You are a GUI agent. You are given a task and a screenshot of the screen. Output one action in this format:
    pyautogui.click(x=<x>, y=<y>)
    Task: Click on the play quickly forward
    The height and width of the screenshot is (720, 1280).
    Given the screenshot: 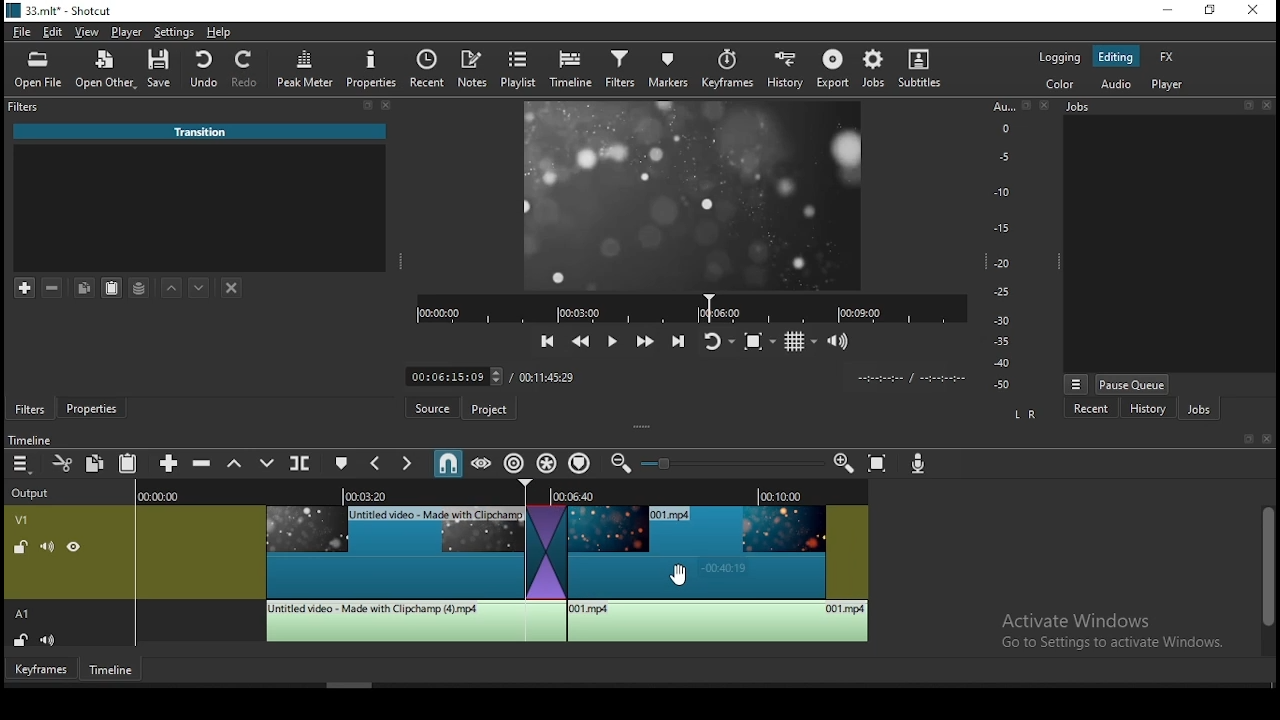 What is the action you would take?
    pyautogui.click(x=646, y=341)
    